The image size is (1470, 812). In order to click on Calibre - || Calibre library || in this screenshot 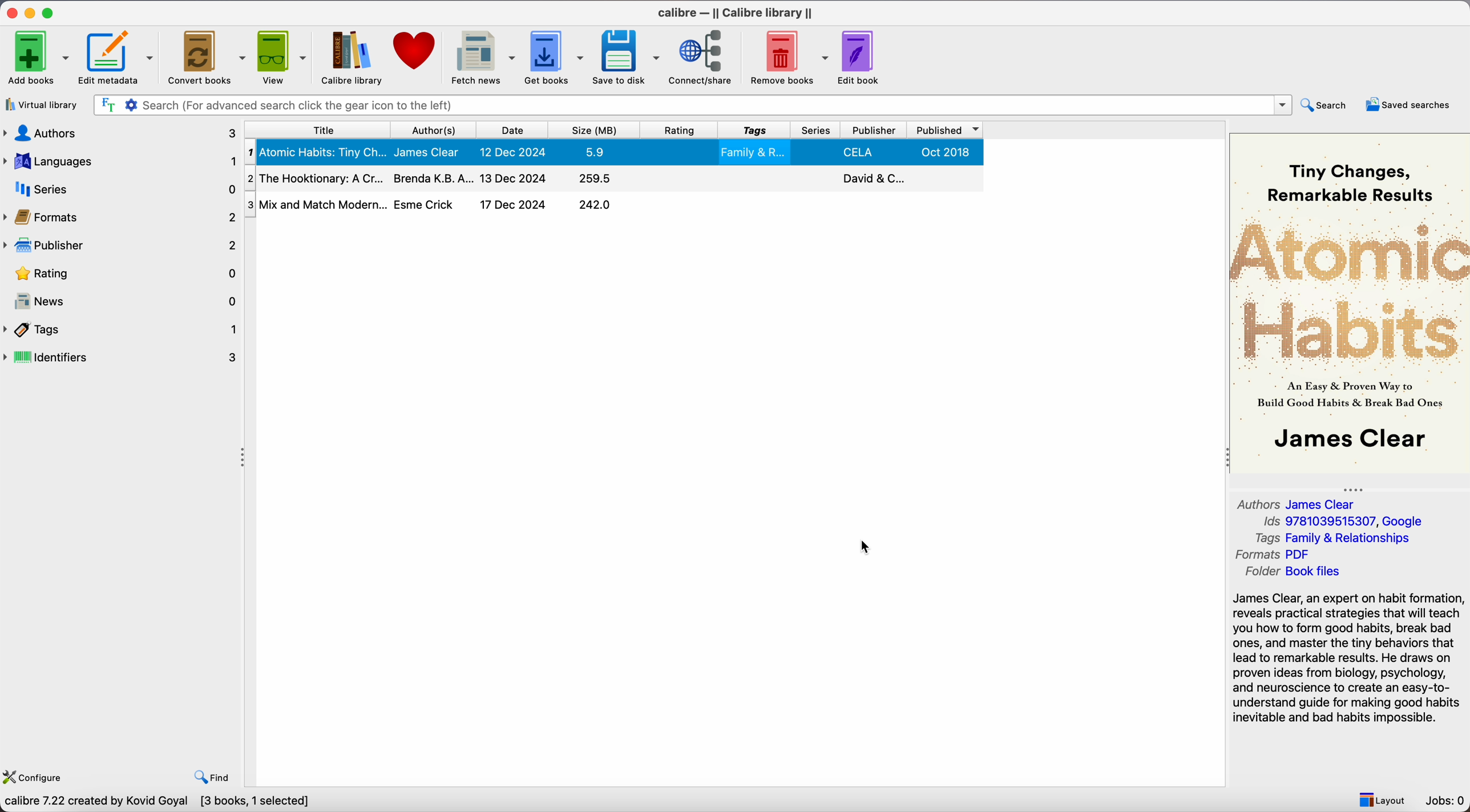, I will do `click(737, 13)`.